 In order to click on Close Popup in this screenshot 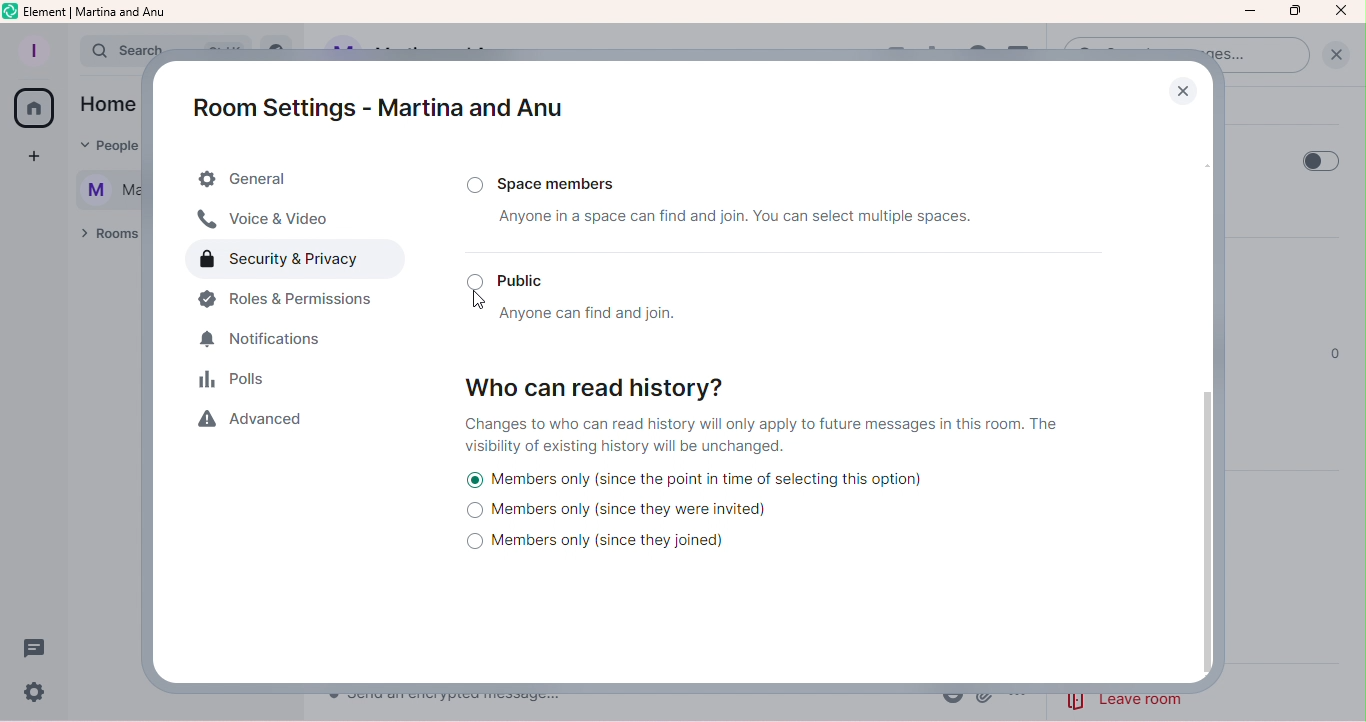, I will do `click(1182, 93)`.